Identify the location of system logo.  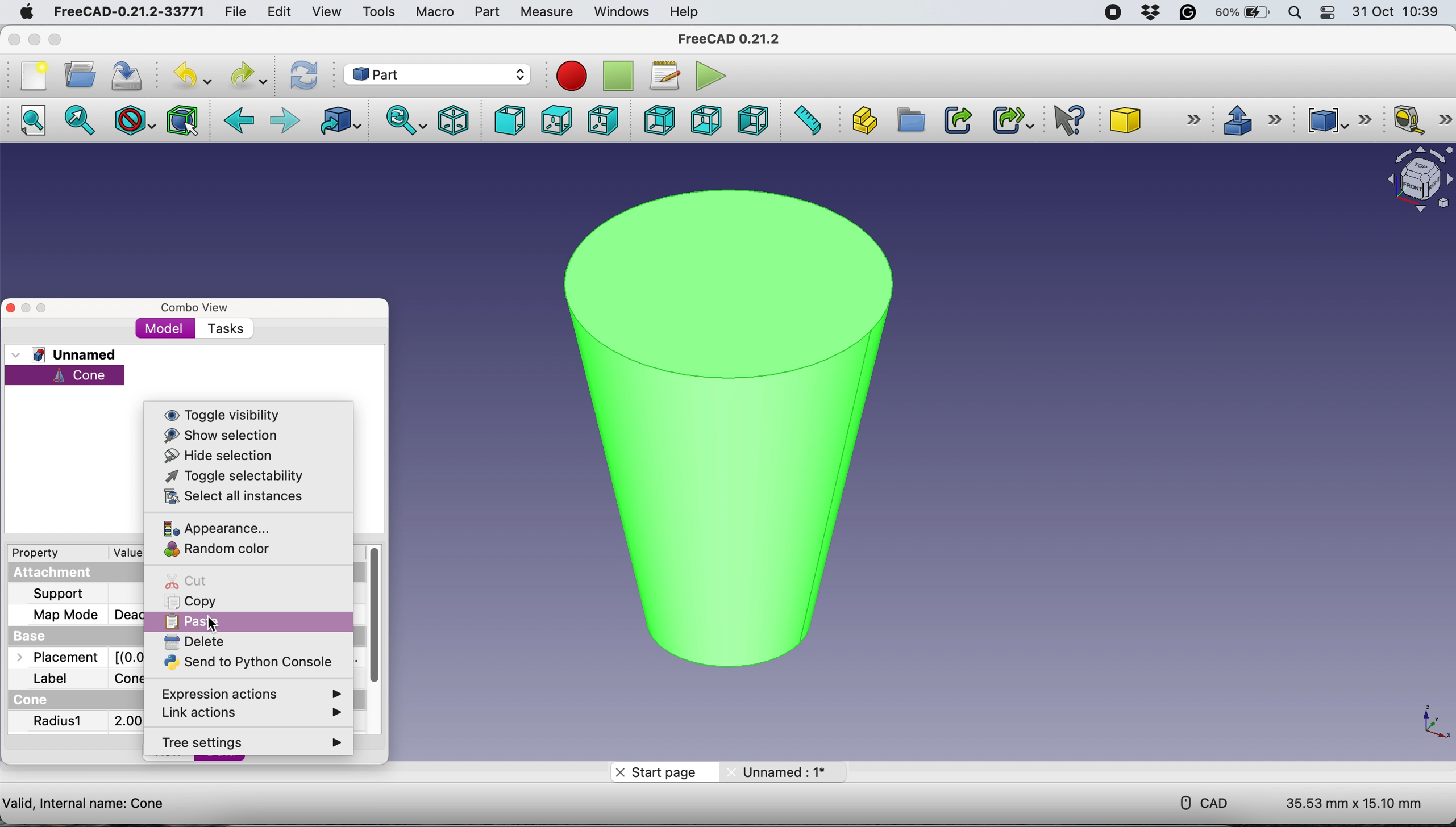
(19, 11).